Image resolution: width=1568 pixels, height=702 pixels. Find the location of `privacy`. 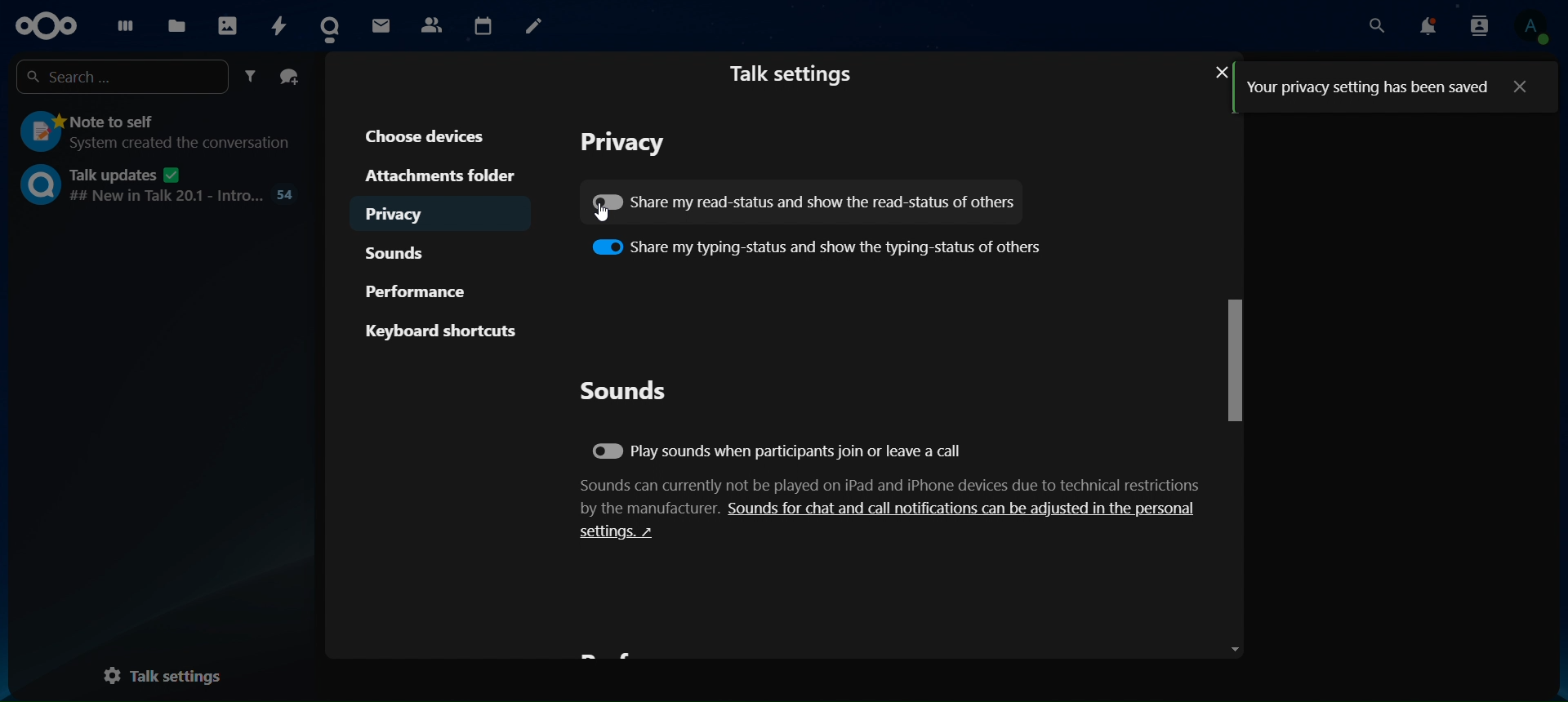

privacy is located at coordinates (412, 211).